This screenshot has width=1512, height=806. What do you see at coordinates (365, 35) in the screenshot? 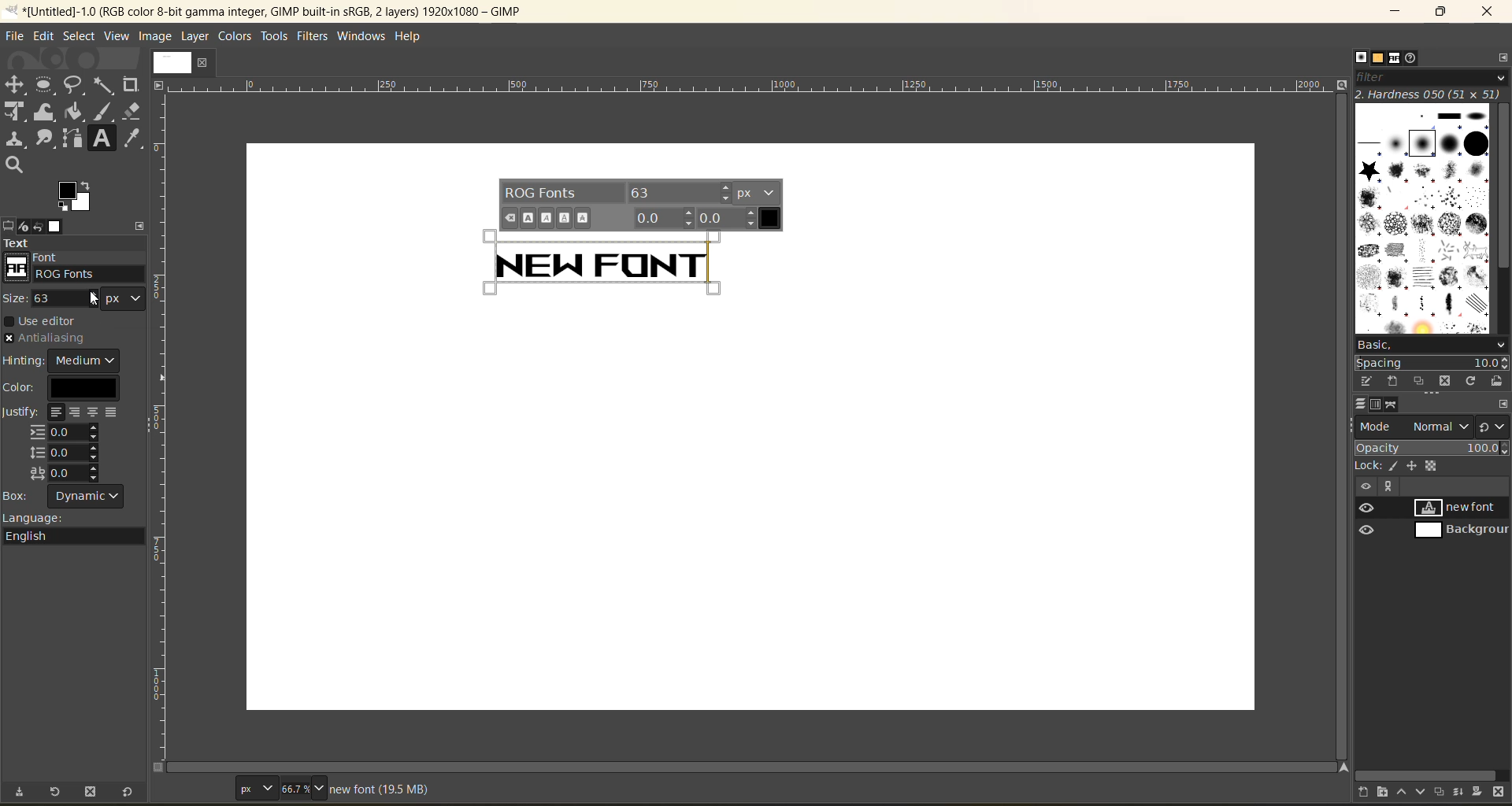
I see `windows` at bounding box center [365, 35].